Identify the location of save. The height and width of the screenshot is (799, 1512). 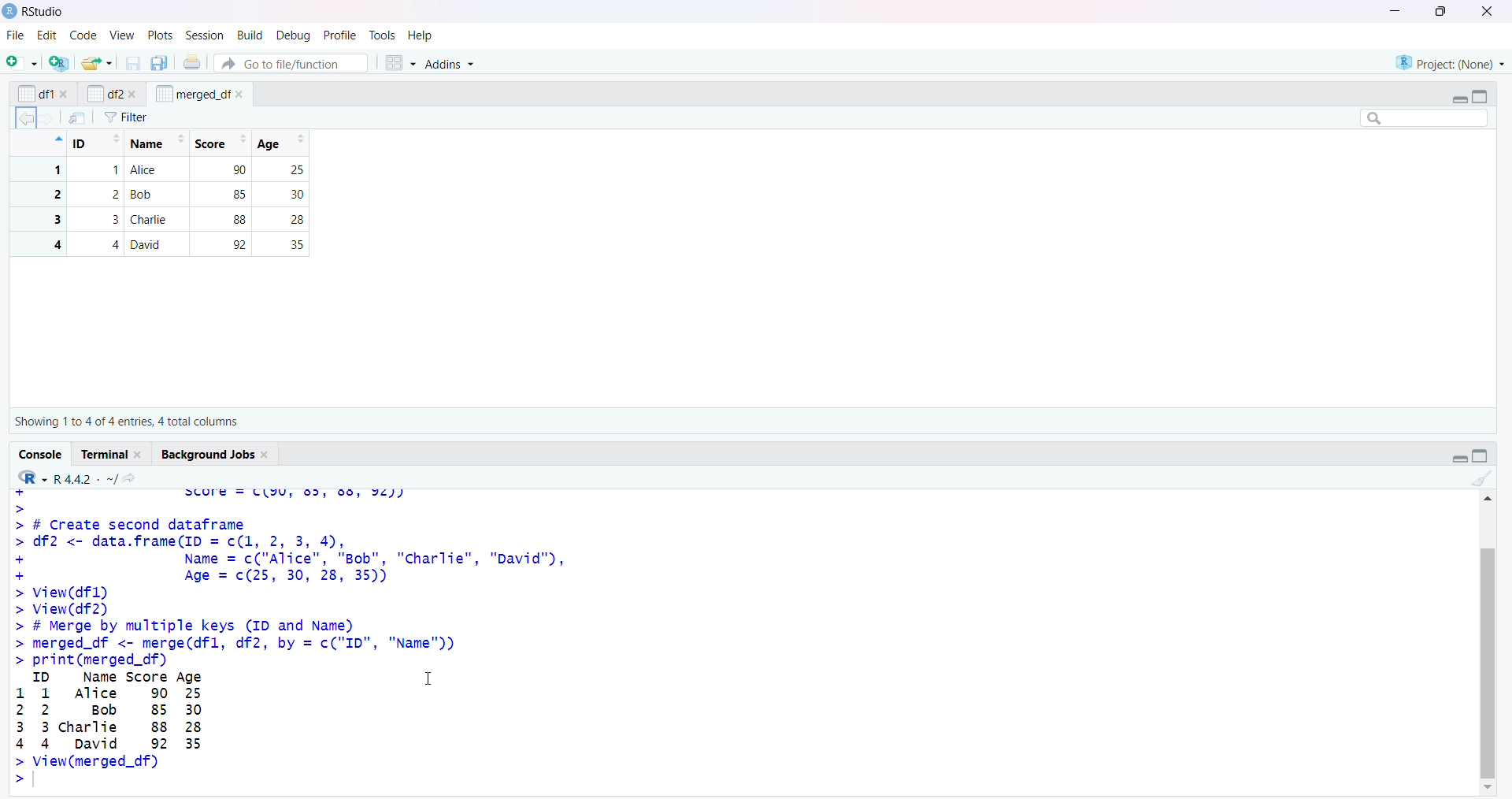
(134, 63).